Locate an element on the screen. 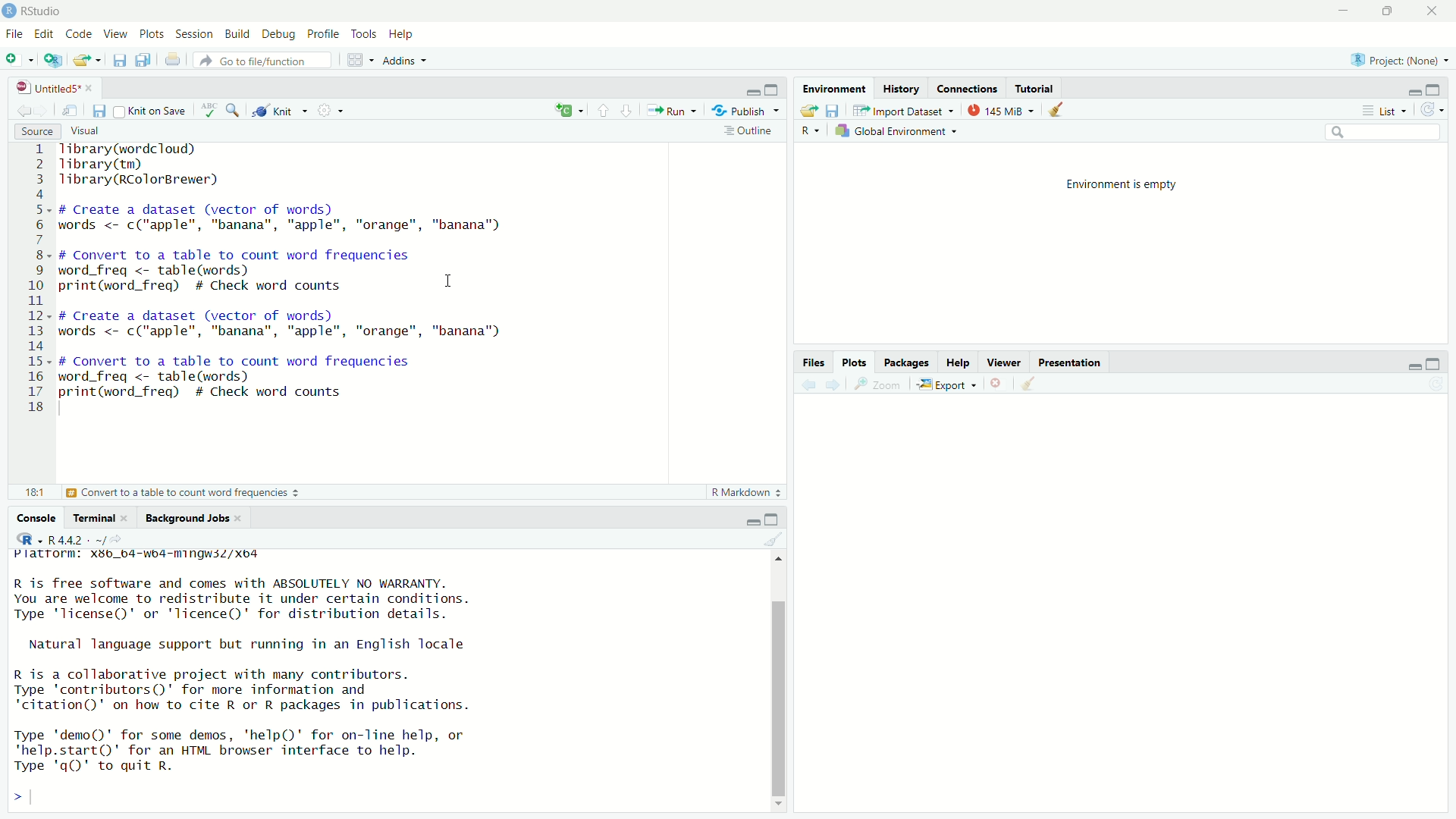 This screenshot has width=1456, height=819. Help is located at coordinates (404, 34).